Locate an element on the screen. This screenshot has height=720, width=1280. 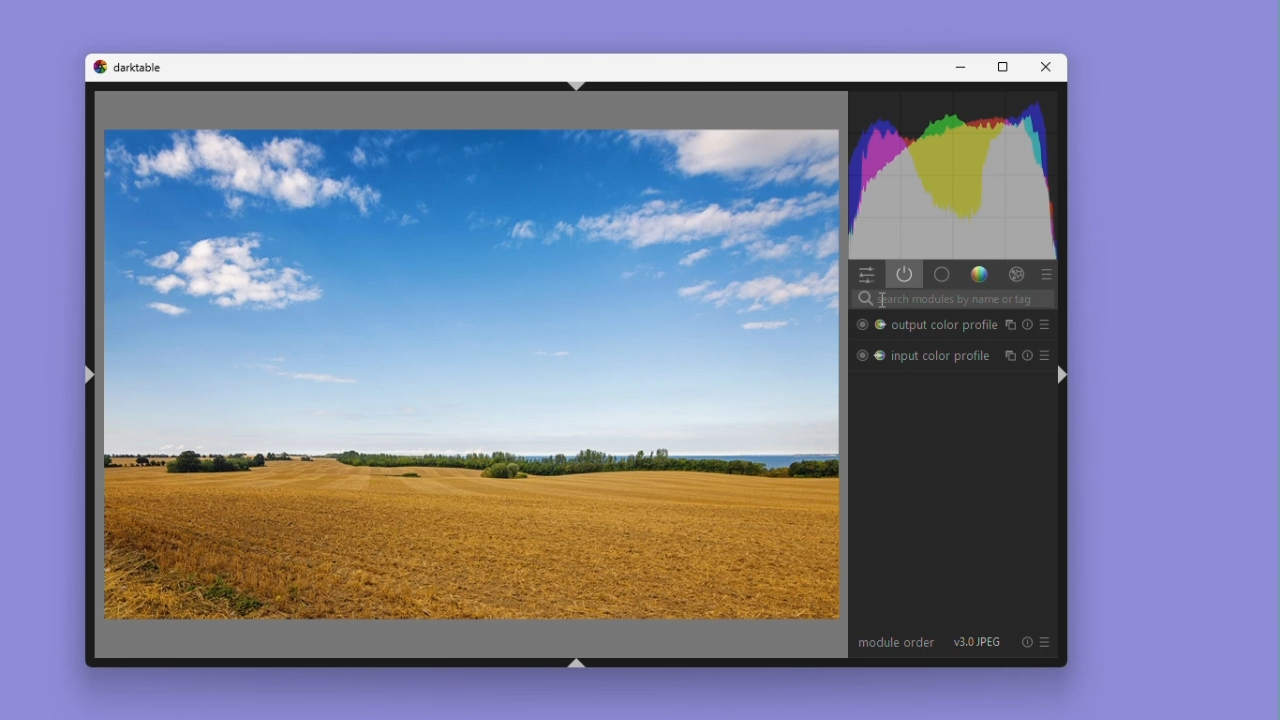
multiple instance is located at coordinates (1010, 354).